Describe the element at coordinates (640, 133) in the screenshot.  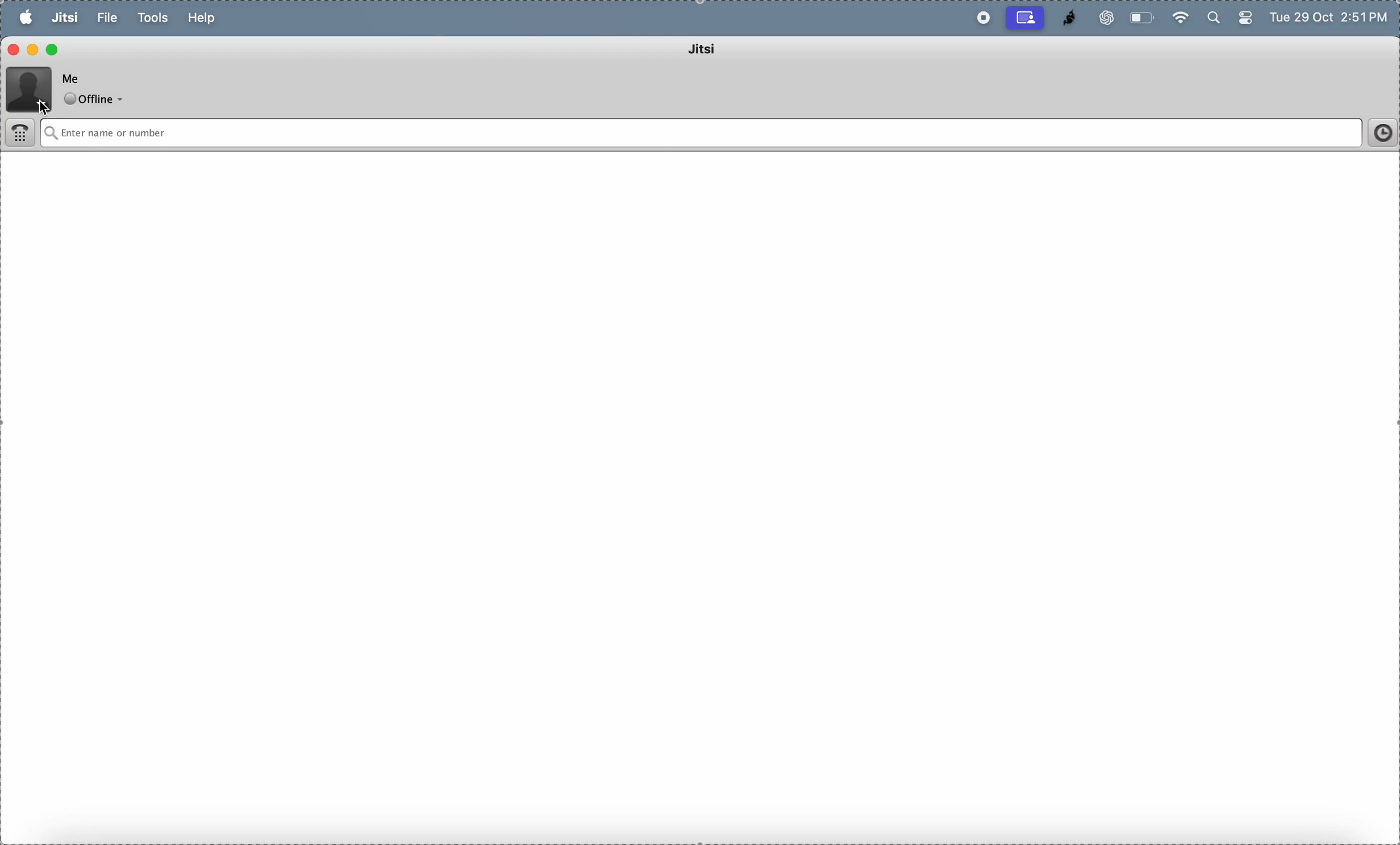
I see `Enter name or number` at that location.